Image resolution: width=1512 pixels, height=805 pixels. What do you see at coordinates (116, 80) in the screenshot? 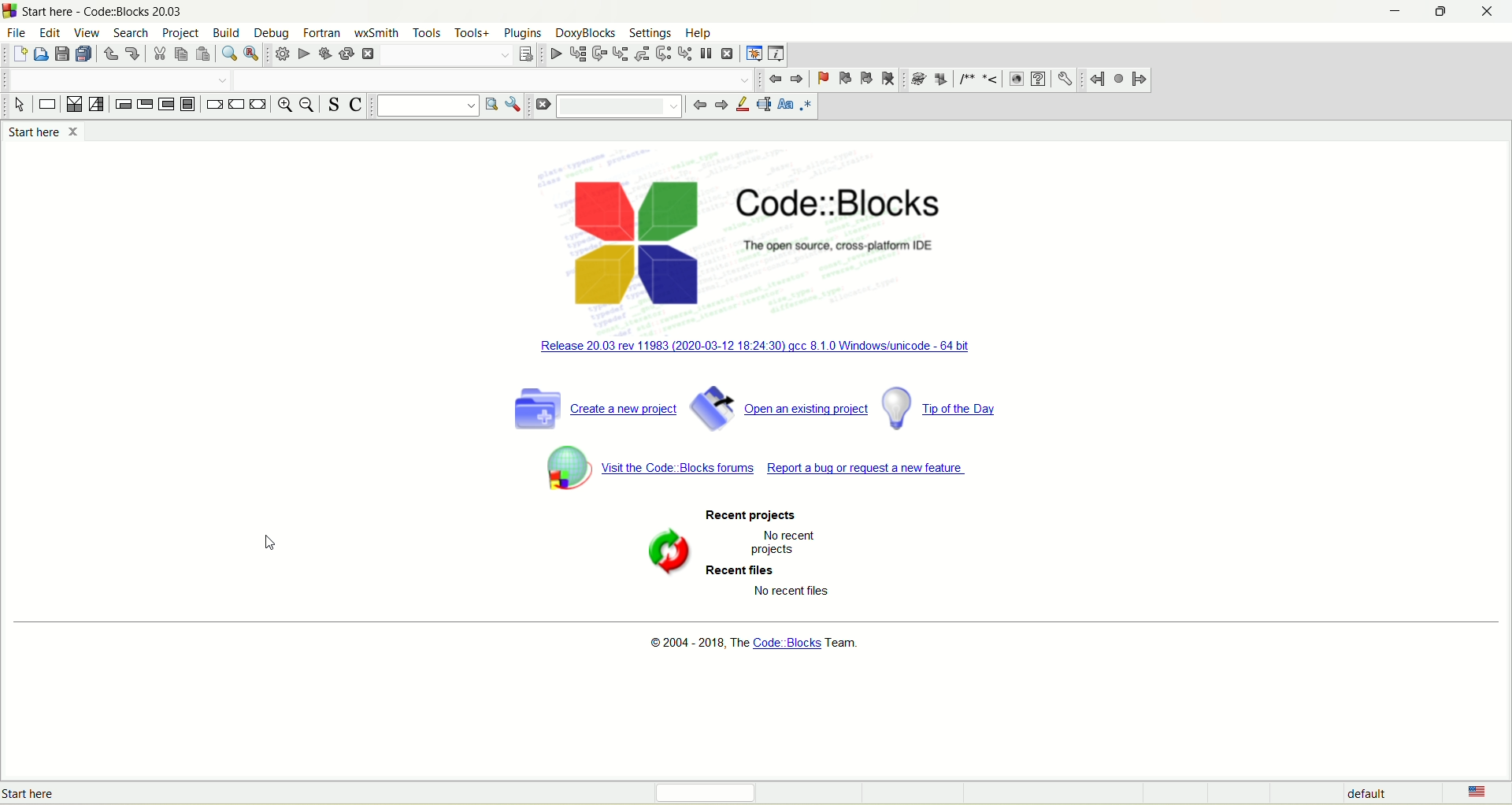
I see `blank space` at bounding box center [116, 80].